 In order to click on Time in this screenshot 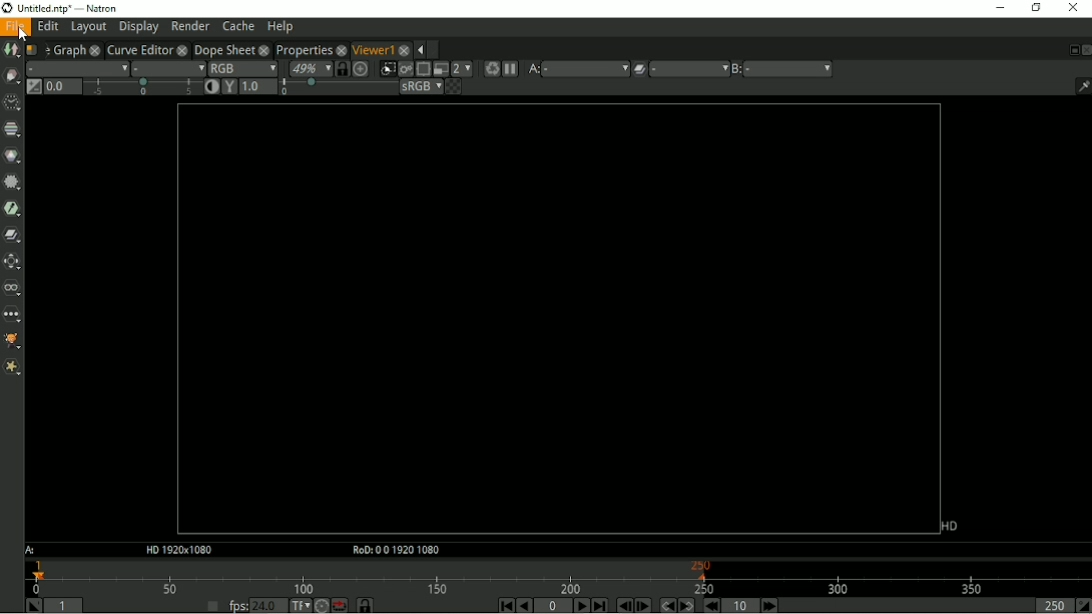, I will do `click(12, 103)`.